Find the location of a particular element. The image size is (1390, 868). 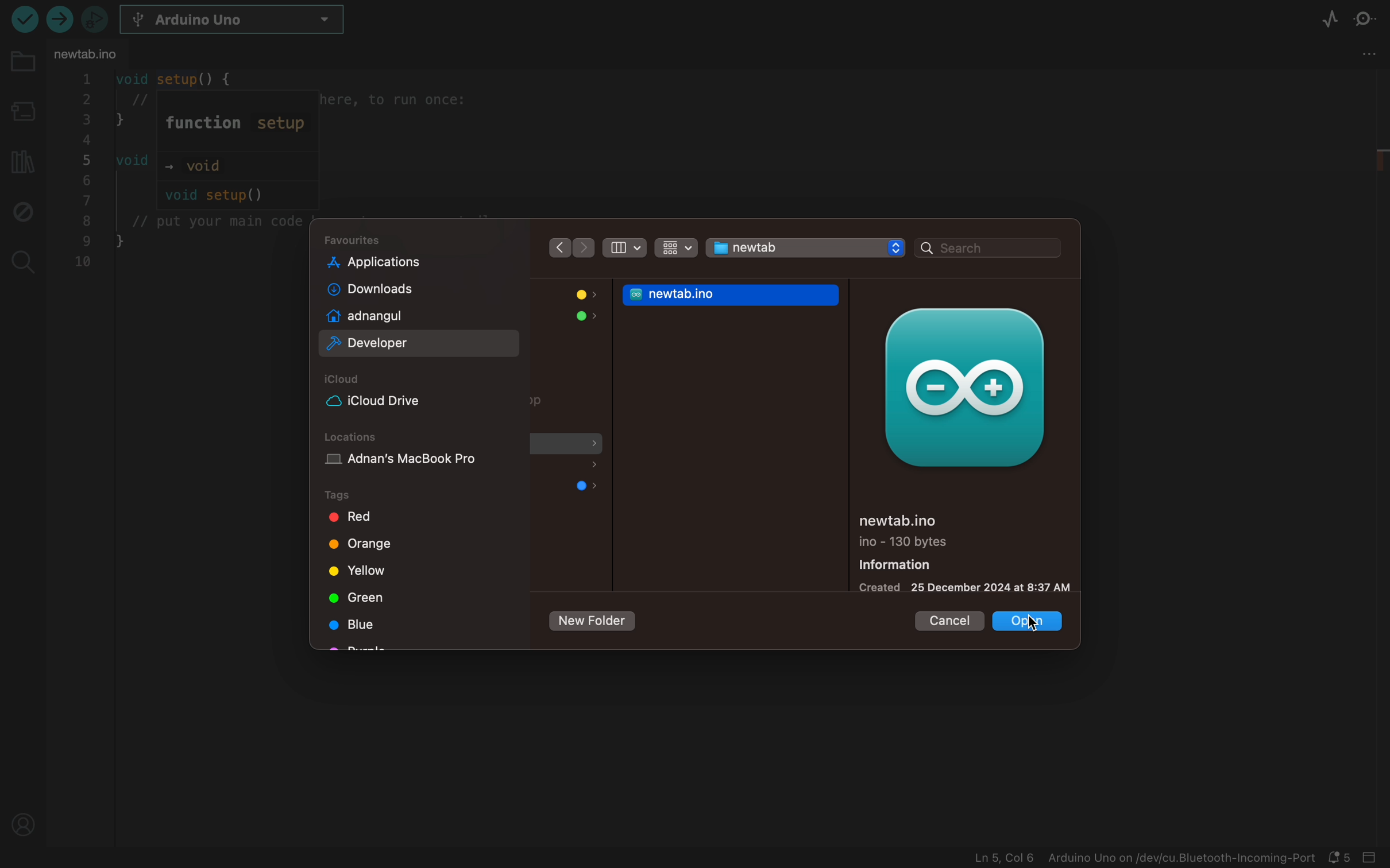

search bar is located at coordinates (988, 249).